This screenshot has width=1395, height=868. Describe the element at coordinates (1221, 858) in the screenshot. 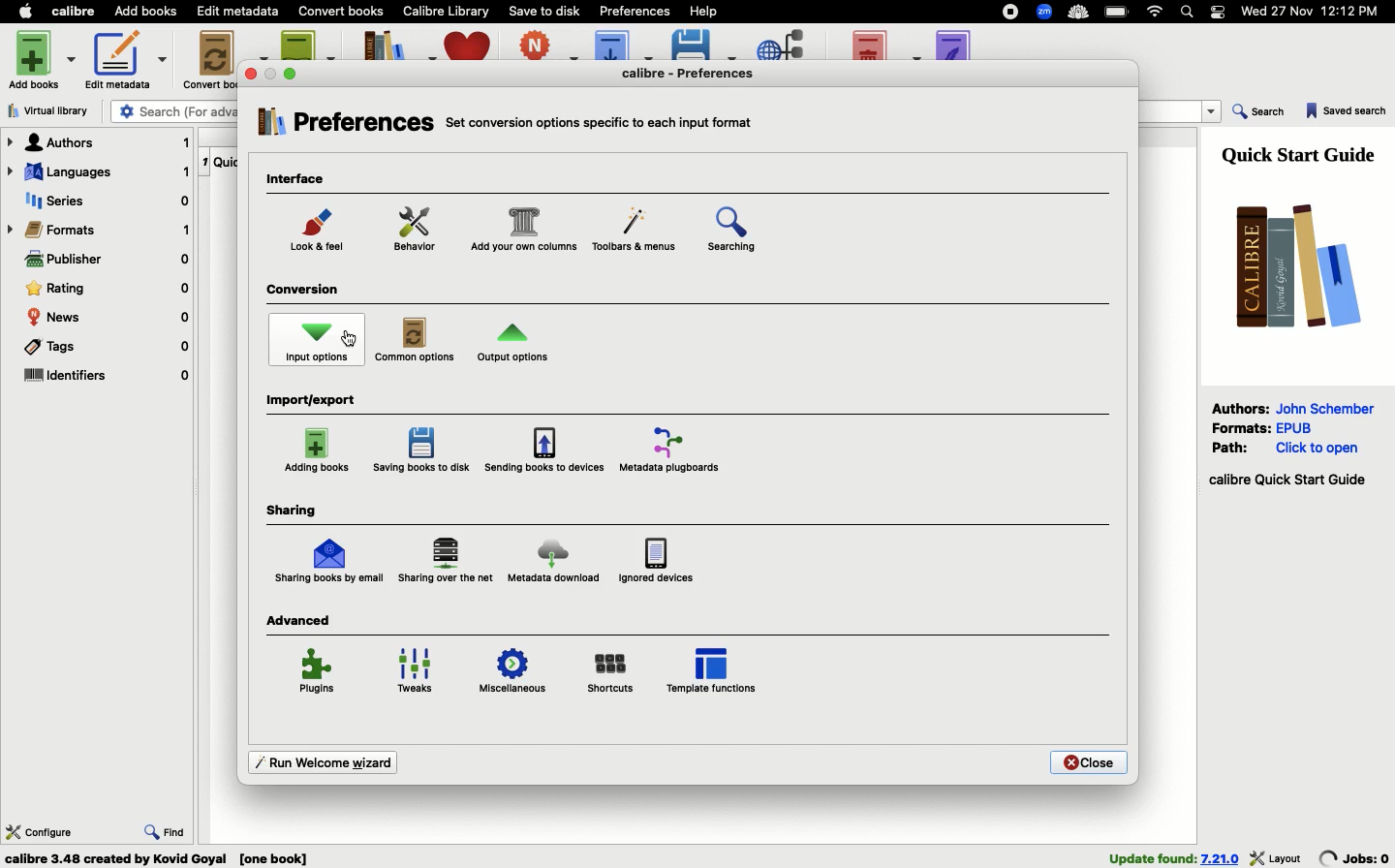

I see `version` at that location.